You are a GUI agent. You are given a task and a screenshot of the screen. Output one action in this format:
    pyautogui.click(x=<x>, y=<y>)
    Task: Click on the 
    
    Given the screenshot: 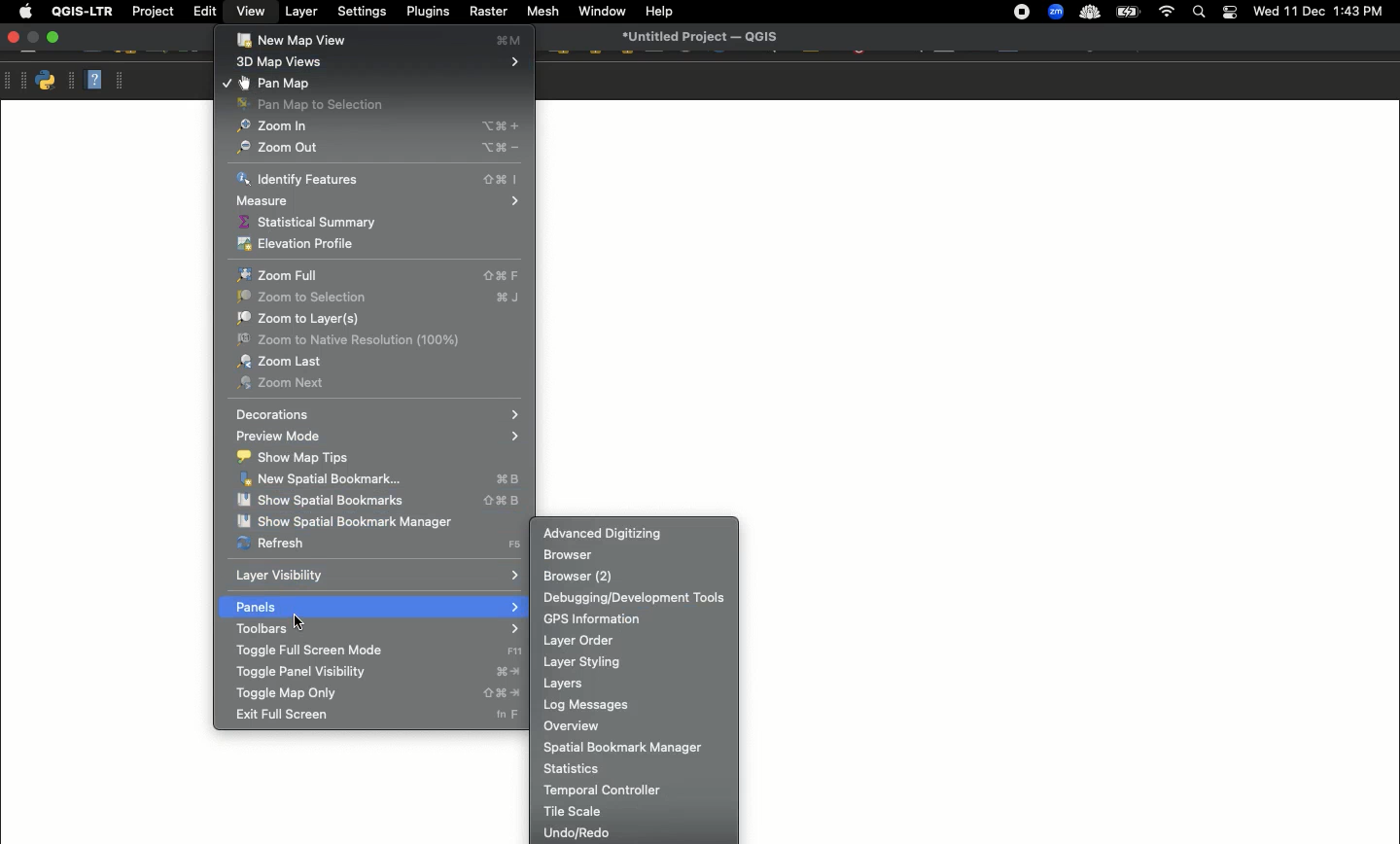 What is the action you would take?
    pyautogui.click(x=24, y=80)
    